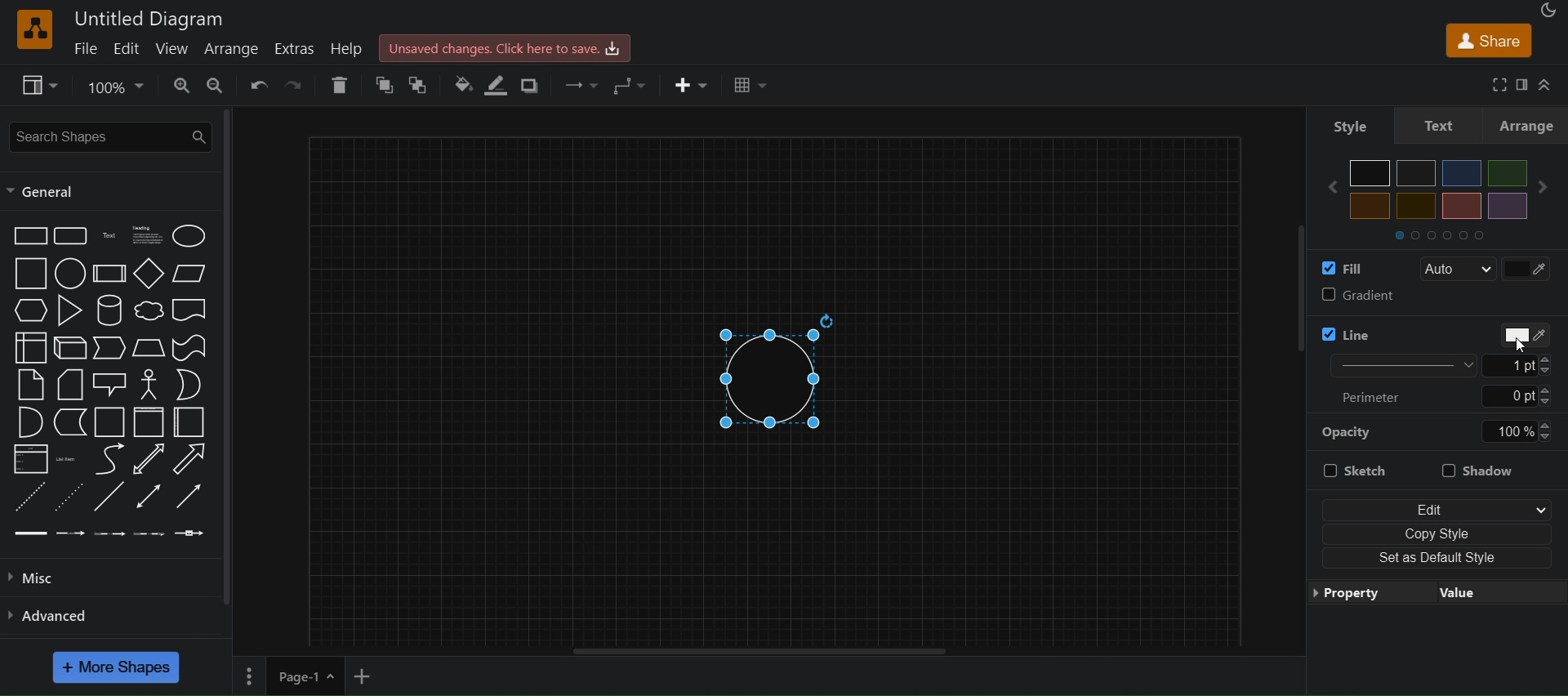 The image size is (1568, 696). I want to click on connector 3, so click(108, 532).